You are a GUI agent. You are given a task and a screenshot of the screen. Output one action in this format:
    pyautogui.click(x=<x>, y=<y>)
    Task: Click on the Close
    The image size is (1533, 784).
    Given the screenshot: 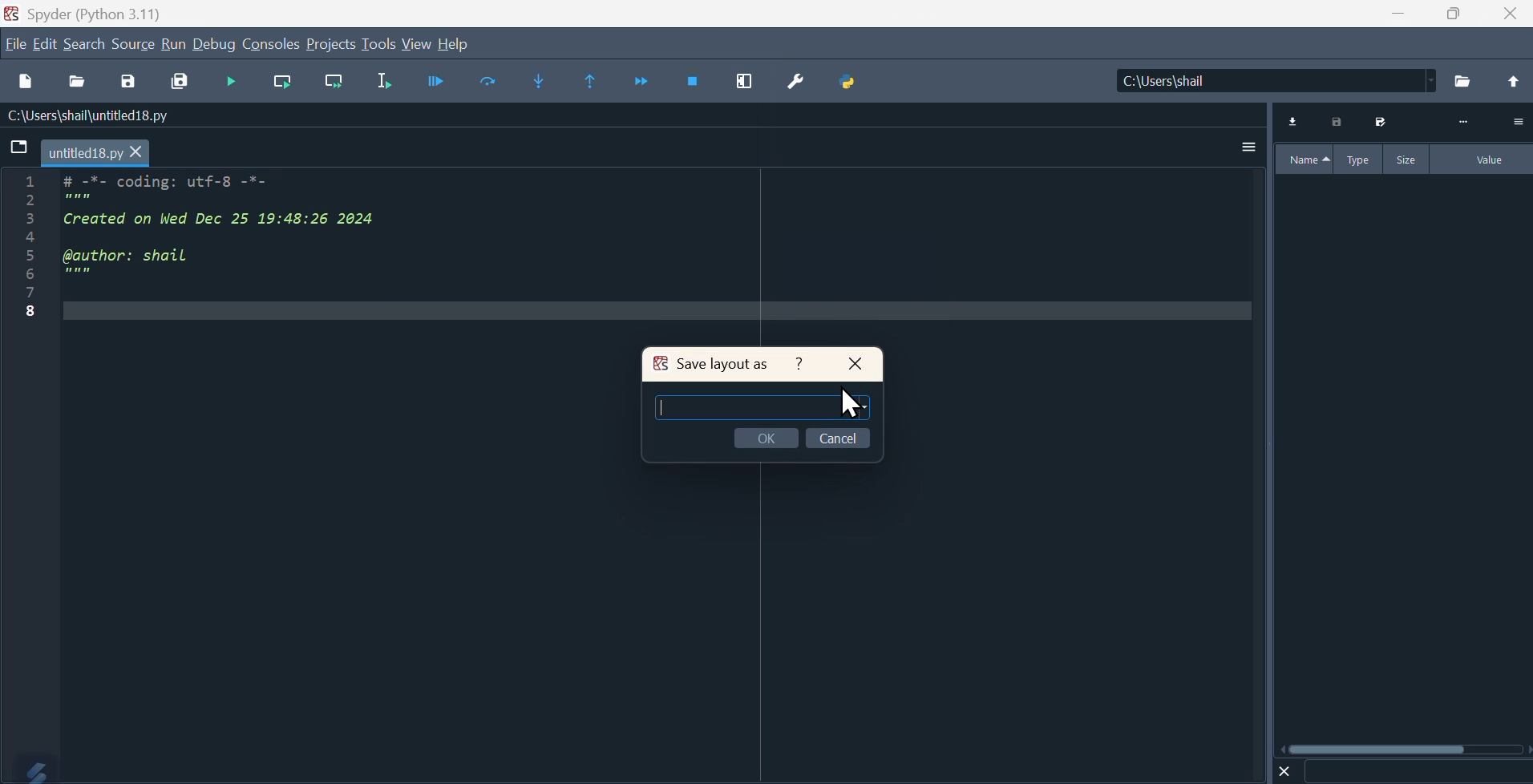 What is the action you would take?
    pyautogui.click(x=1512, y=14)
    